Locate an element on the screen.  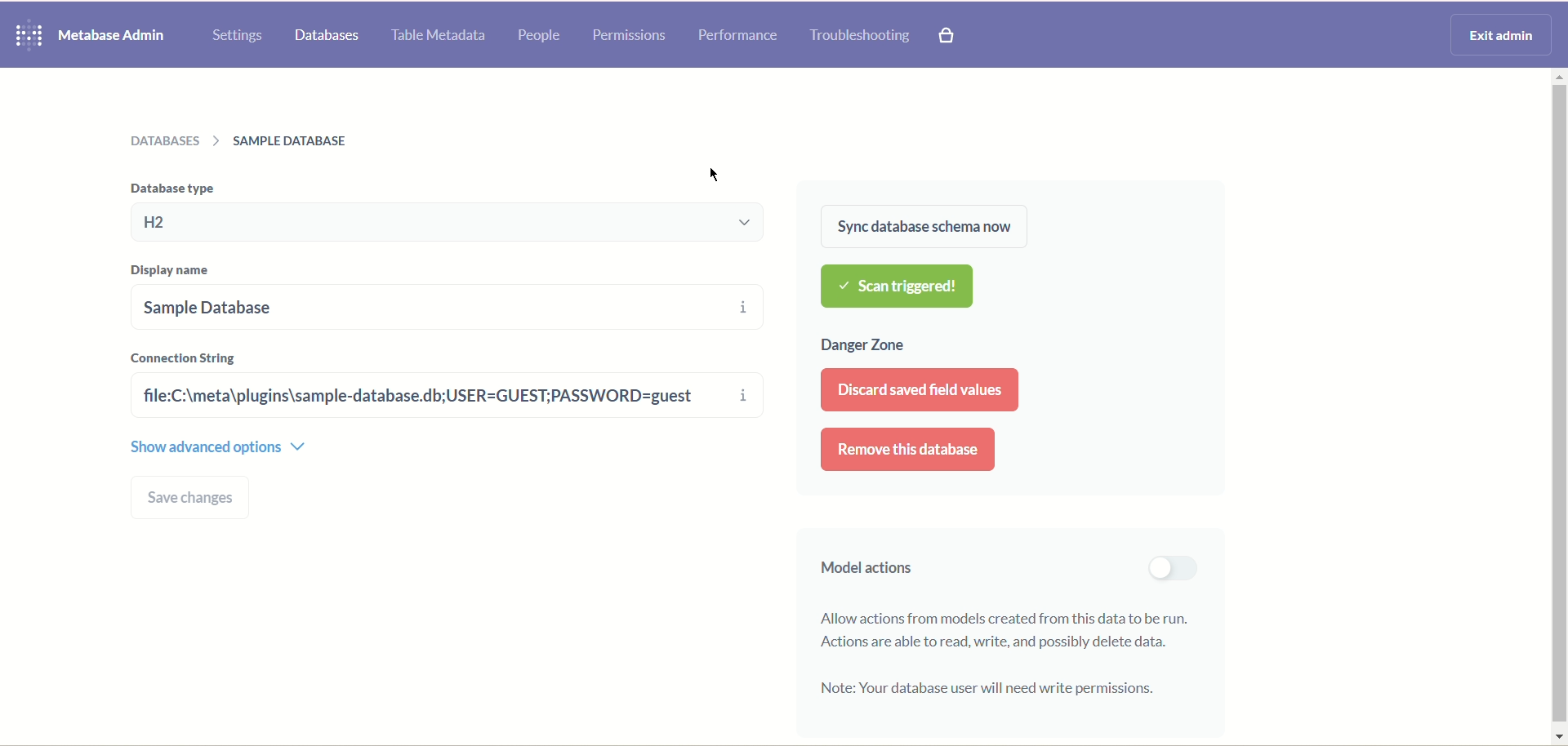
connection string is located at coordinates (185, 357).